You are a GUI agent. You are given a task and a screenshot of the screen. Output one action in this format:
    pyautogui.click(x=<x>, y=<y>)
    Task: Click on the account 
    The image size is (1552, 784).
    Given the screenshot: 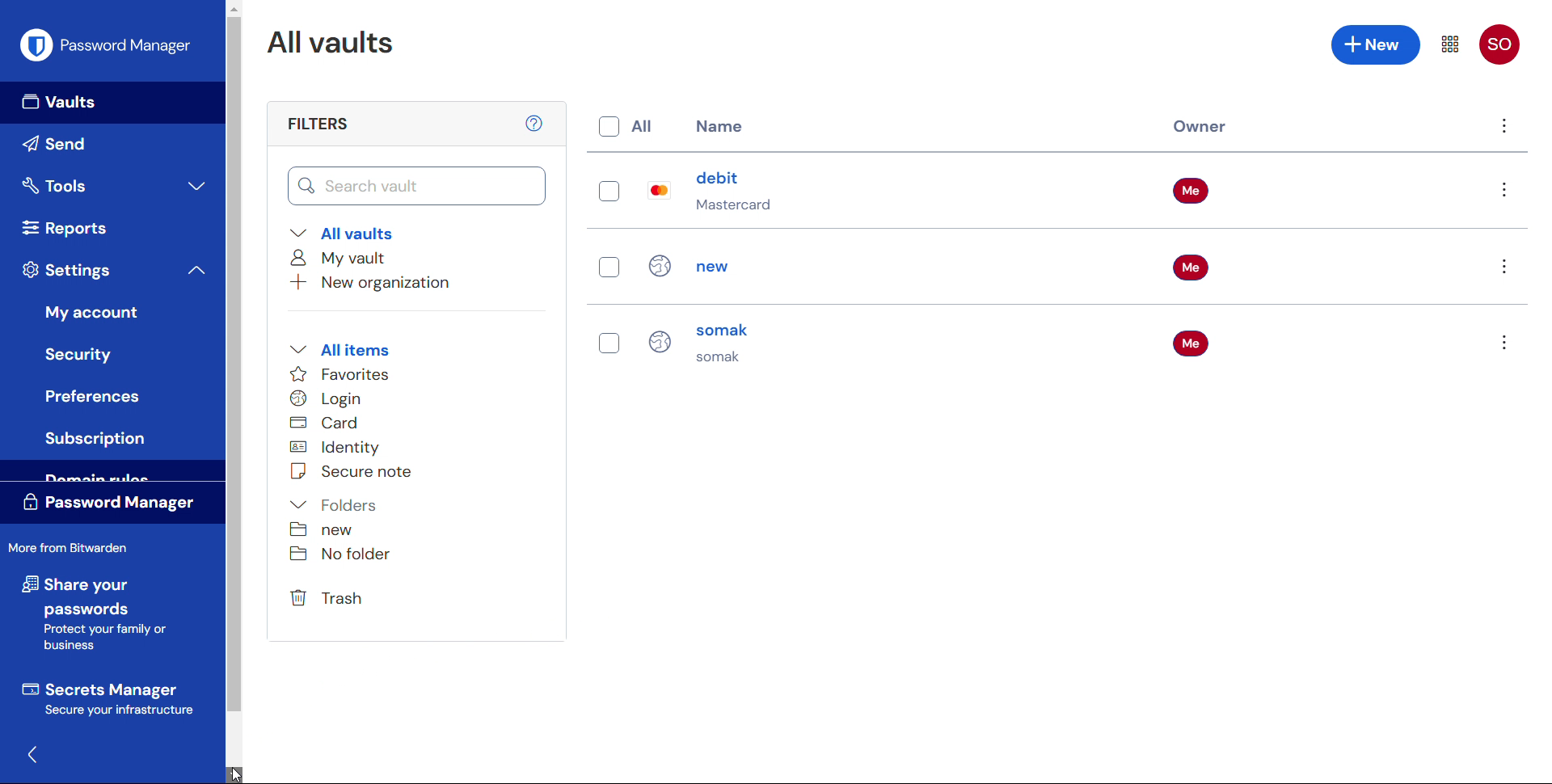 What is the action you would take?
    pyautogui.click(x=1501, y=44)
    